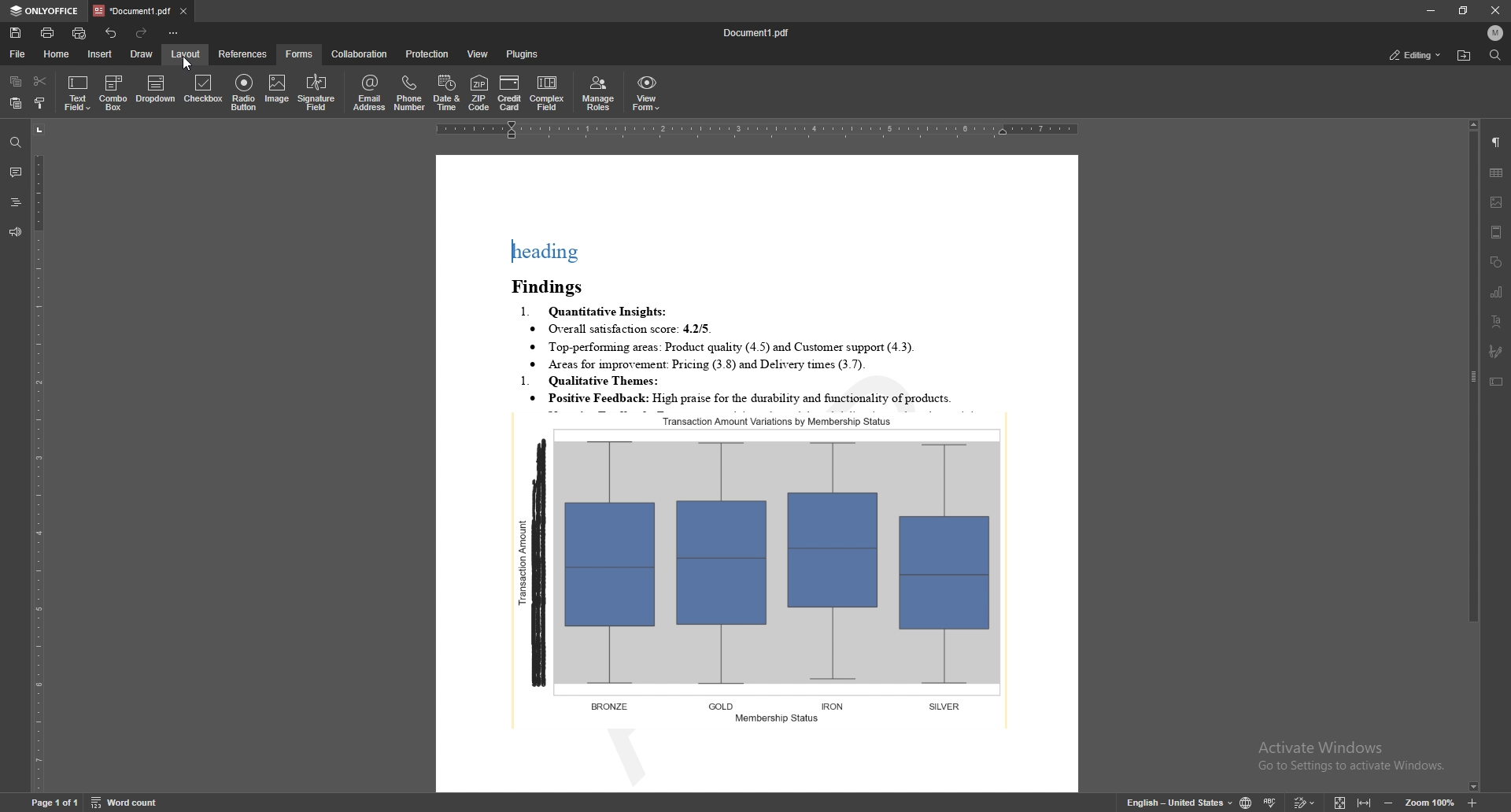 The height and width of the screenshot is (812, 1511). I want to click on horizontal scale, so click(756, 130).